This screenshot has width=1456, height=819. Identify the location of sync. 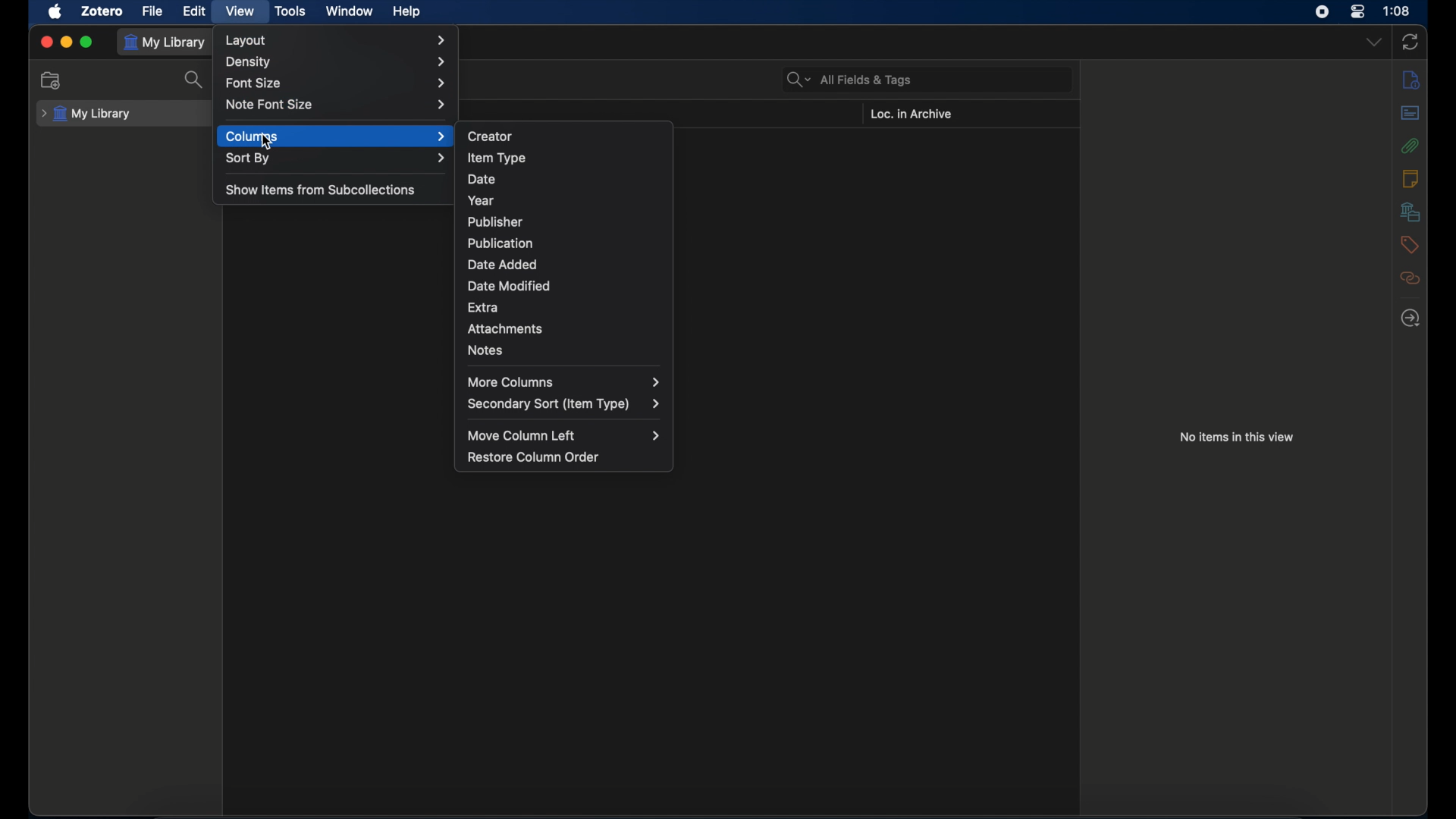
(1411, 42).